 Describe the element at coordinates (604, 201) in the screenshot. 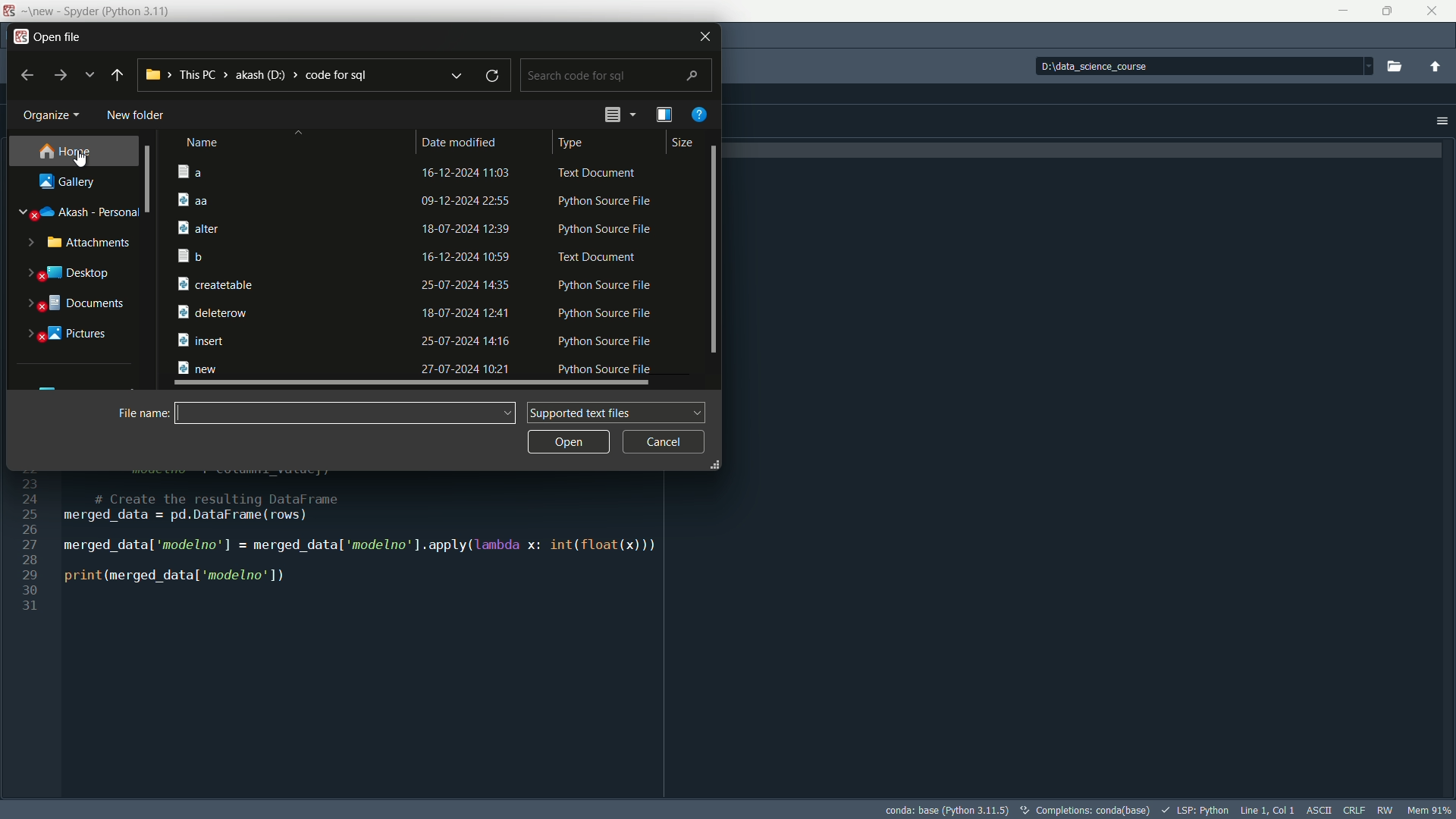

I see `file type` at that location.